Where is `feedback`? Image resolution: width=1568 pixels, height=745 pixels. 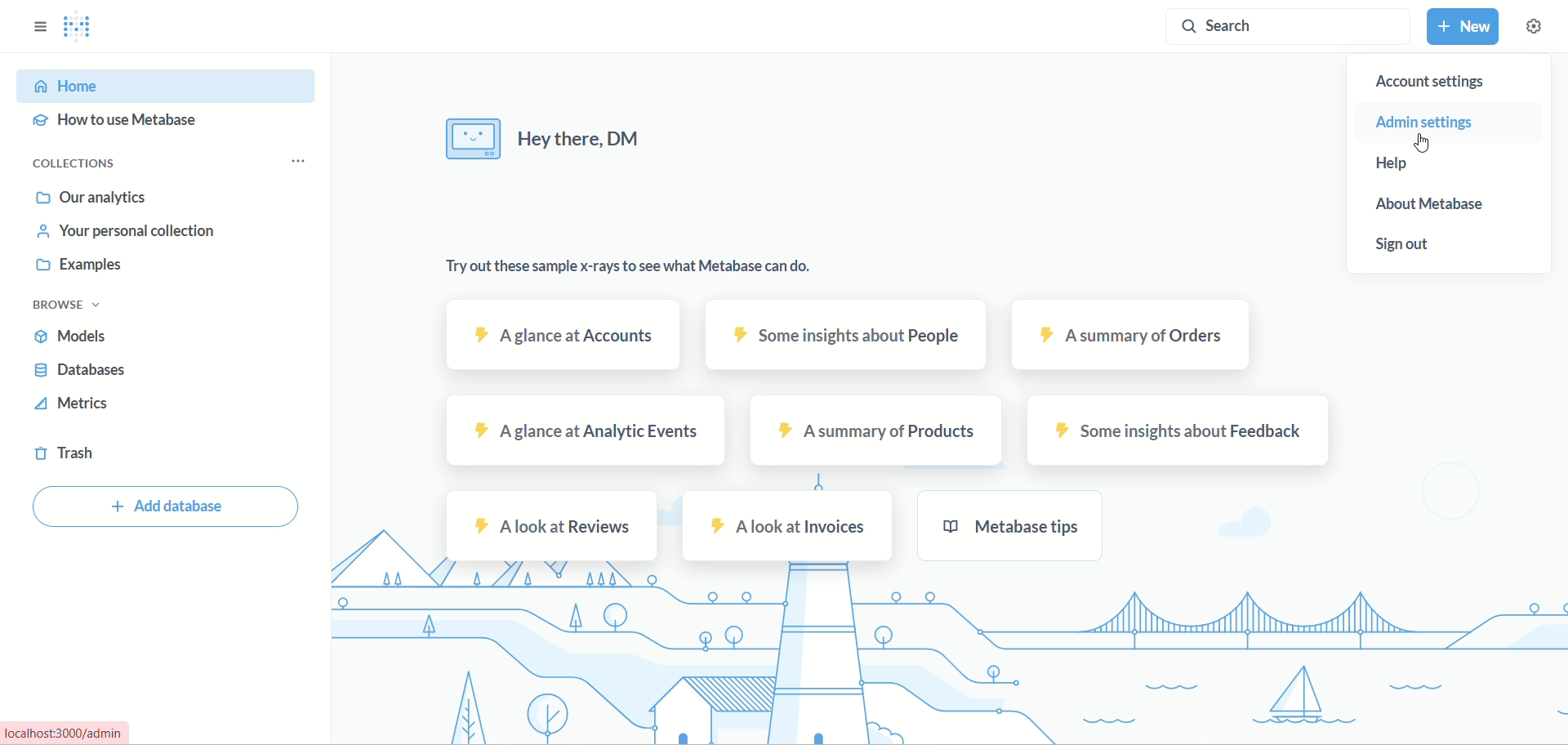 feedback is located at coordinates (1178, 430).